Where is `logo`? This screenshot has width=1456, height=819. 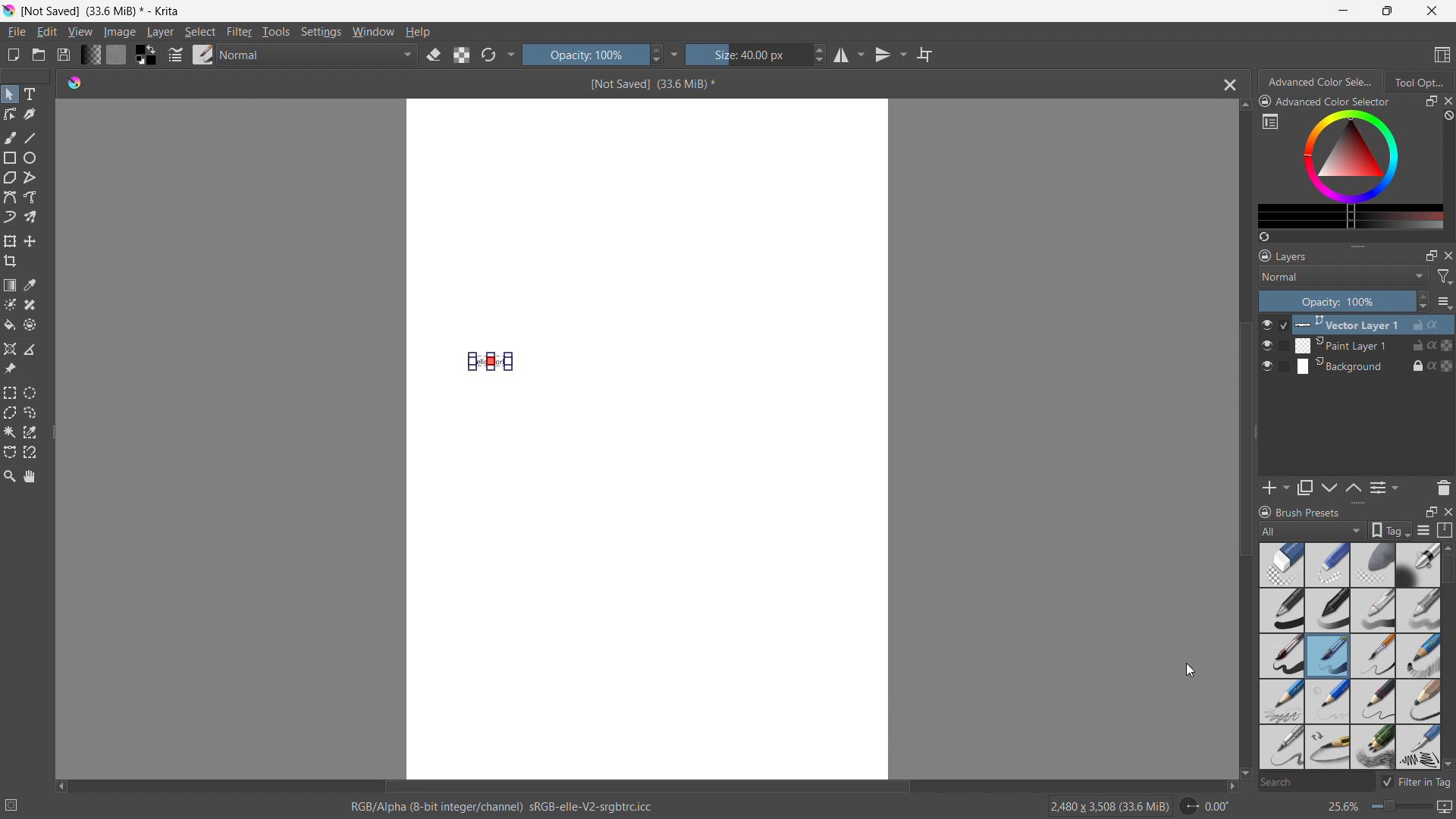 logo is located at coordinates (9, 11).